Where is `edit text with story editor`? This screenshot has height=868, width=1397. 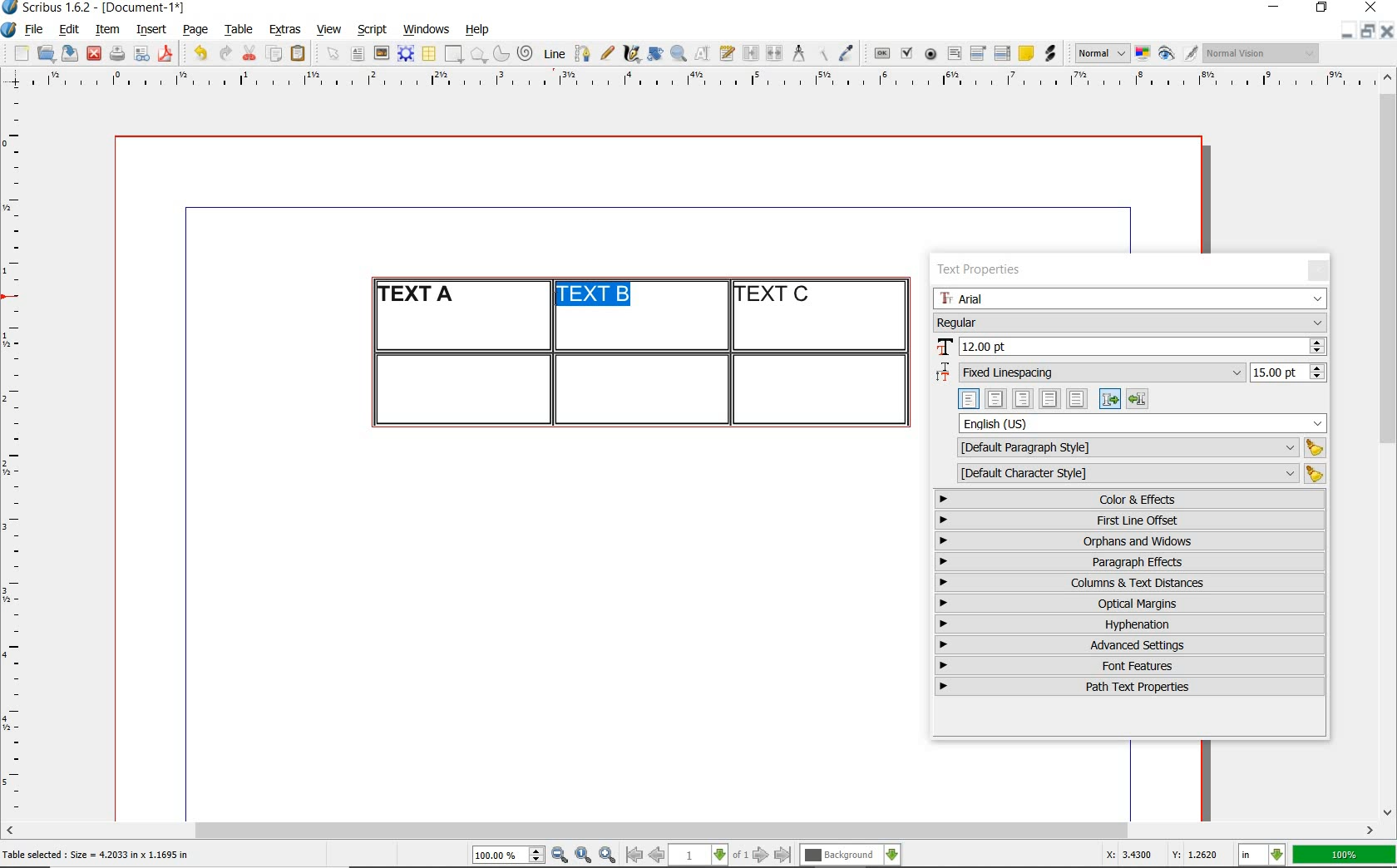 edit text with story editor is located at coordinates (727, 52).